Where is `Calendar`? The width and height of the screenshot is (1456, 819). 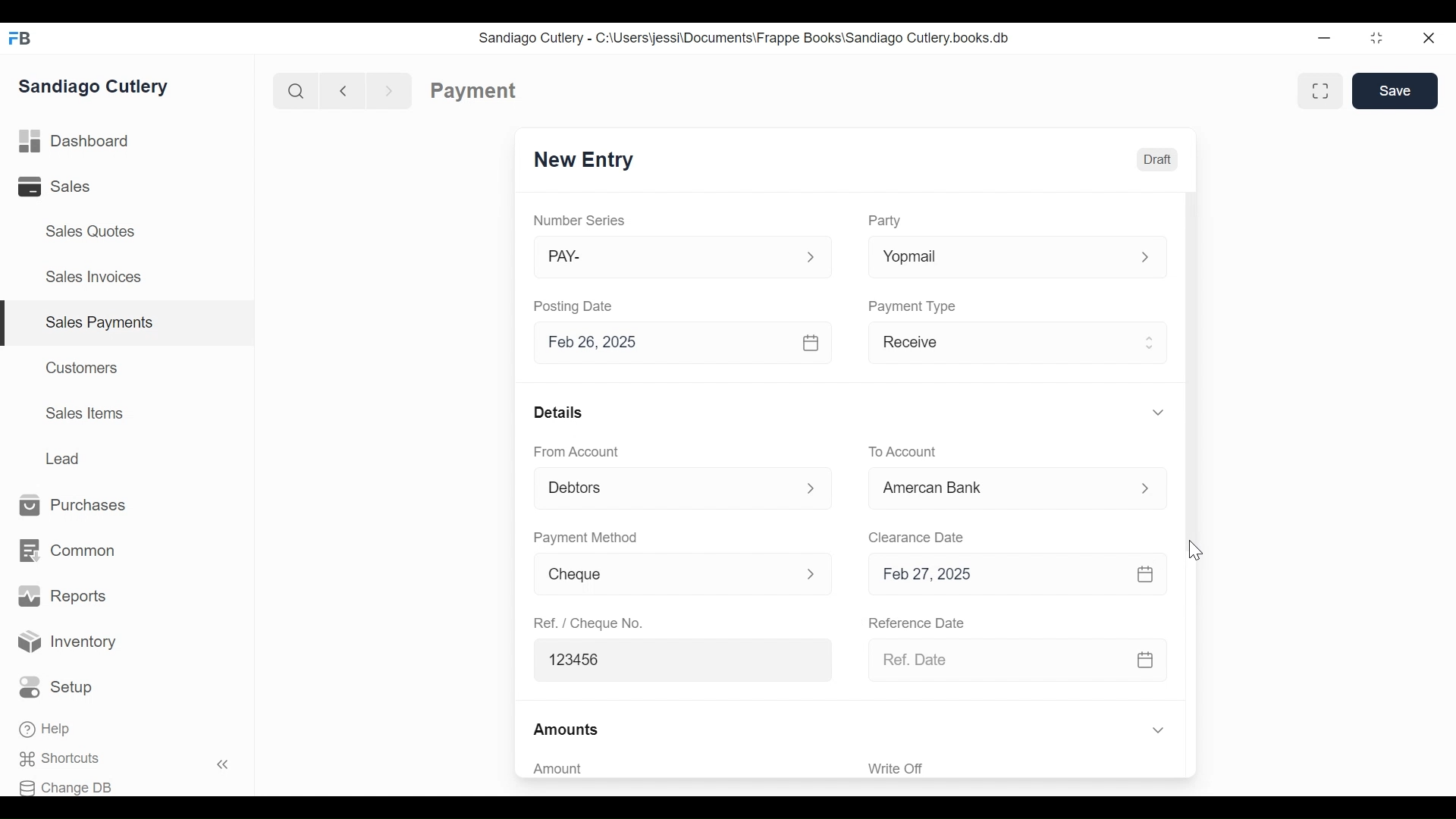 Calendar is located at coordinates (1145, 575).